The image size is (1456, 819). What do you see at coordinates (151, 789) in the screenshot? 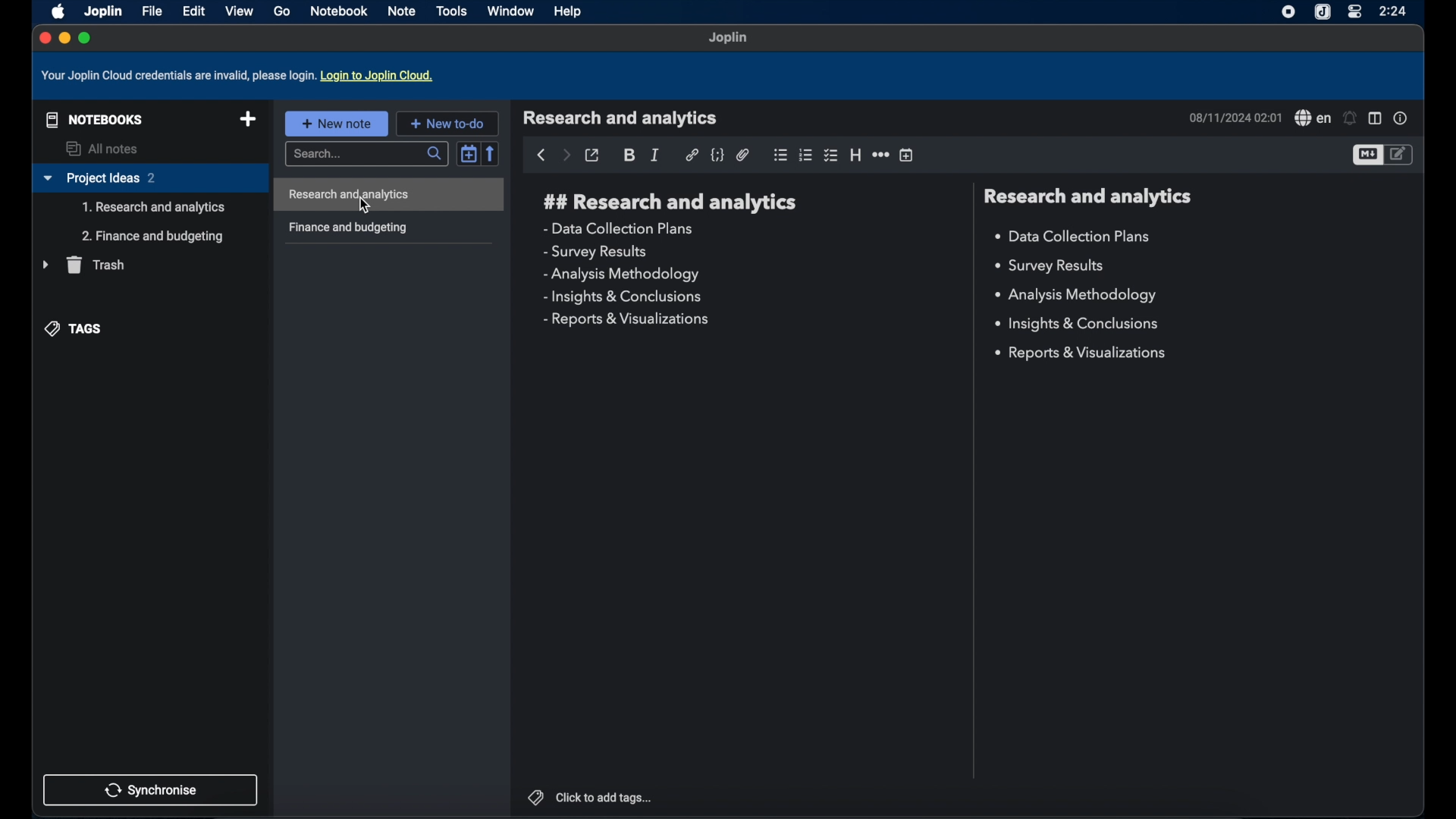
I see `synchronise` at bounding box center [151, 789].